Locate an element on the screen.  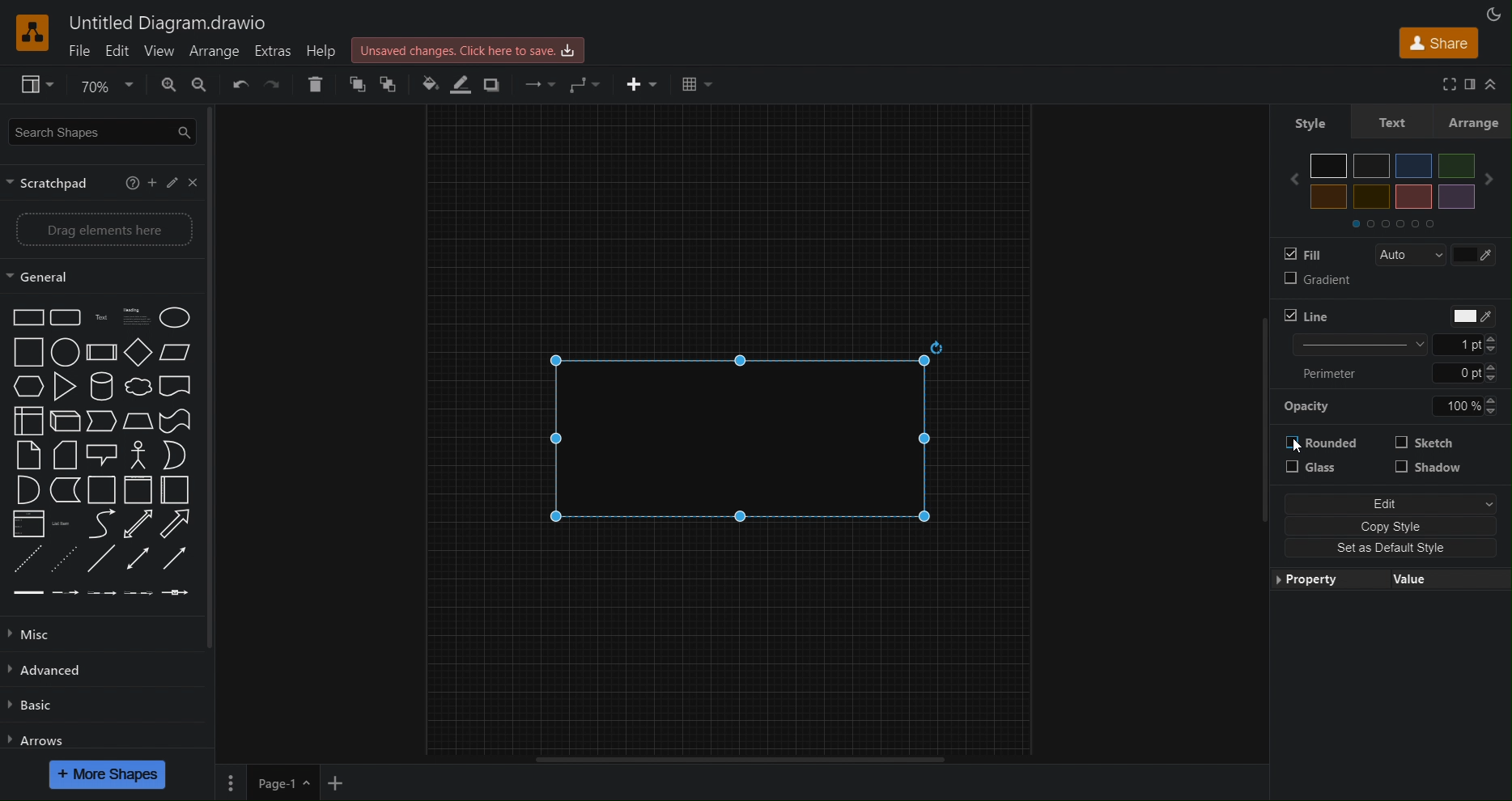
Extras is located at coordinates (276, 53).